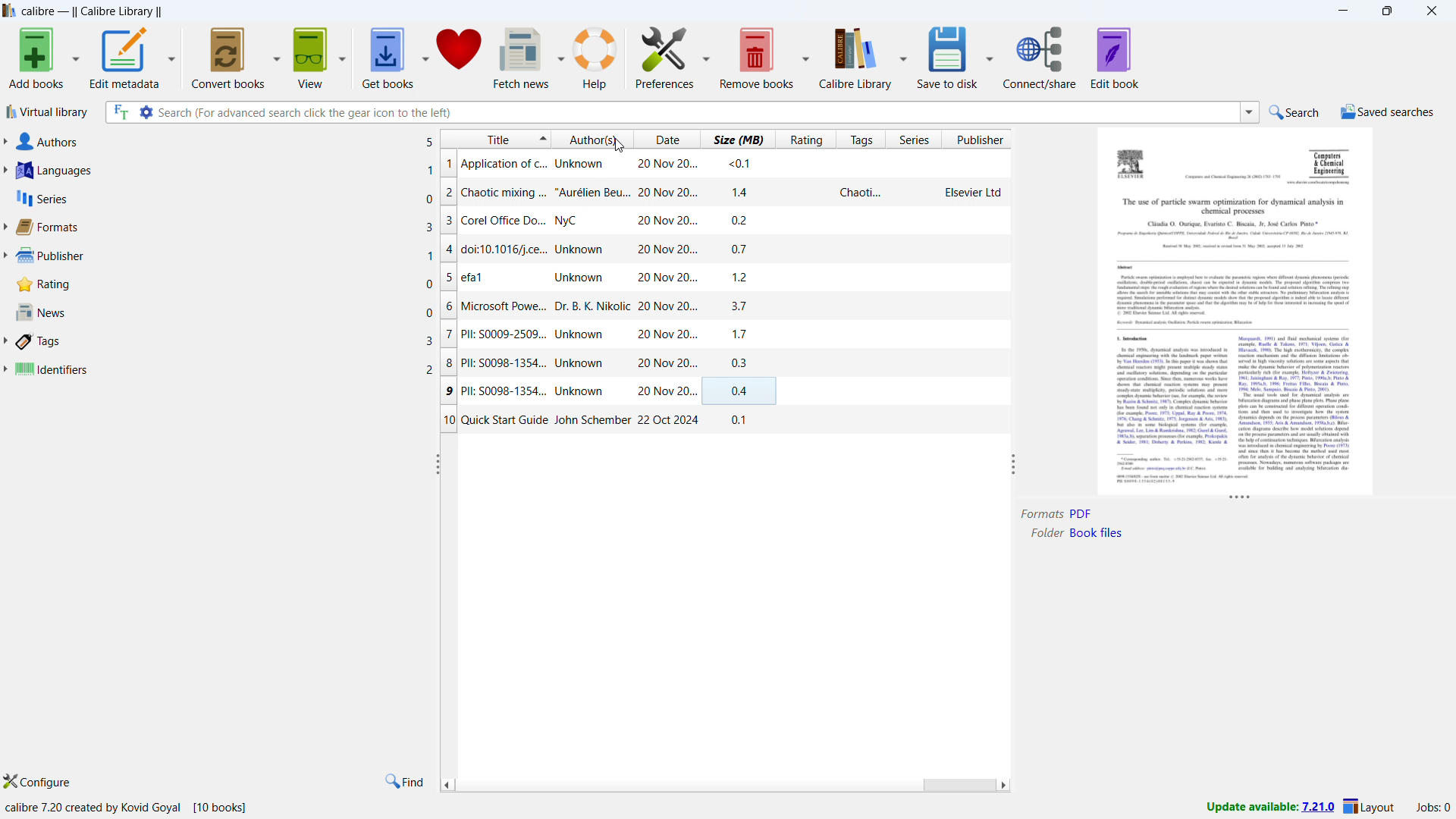 The width and height of the screenshot is (1456, 819). What do you see at coordinates (805, 55) in the screenshot?
I see `remobe books options` at bounding box center [805, 55].